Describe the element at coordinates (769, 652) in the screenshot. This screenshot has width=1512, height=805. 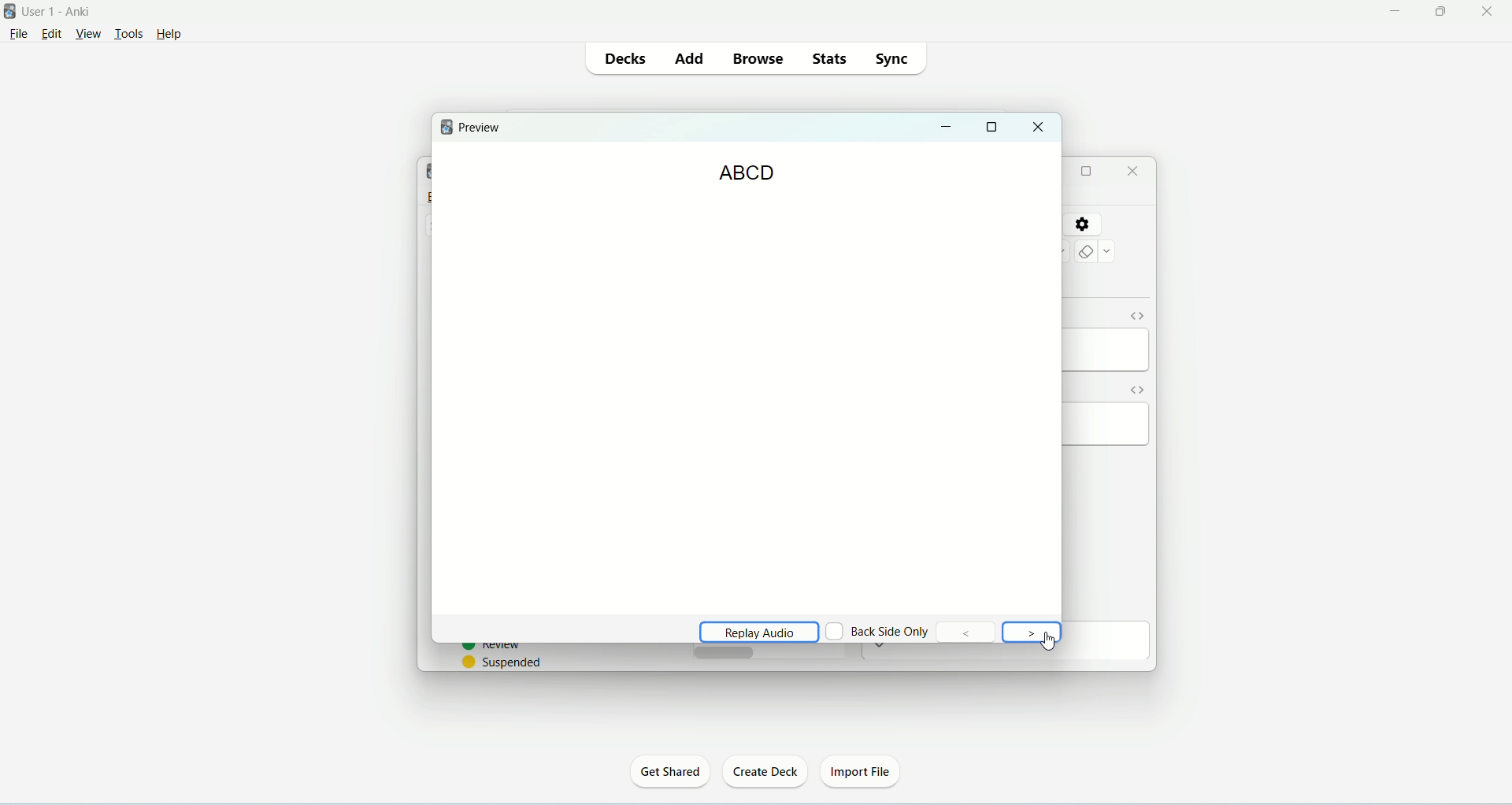
I see `horizontal scroll bar` at that location.